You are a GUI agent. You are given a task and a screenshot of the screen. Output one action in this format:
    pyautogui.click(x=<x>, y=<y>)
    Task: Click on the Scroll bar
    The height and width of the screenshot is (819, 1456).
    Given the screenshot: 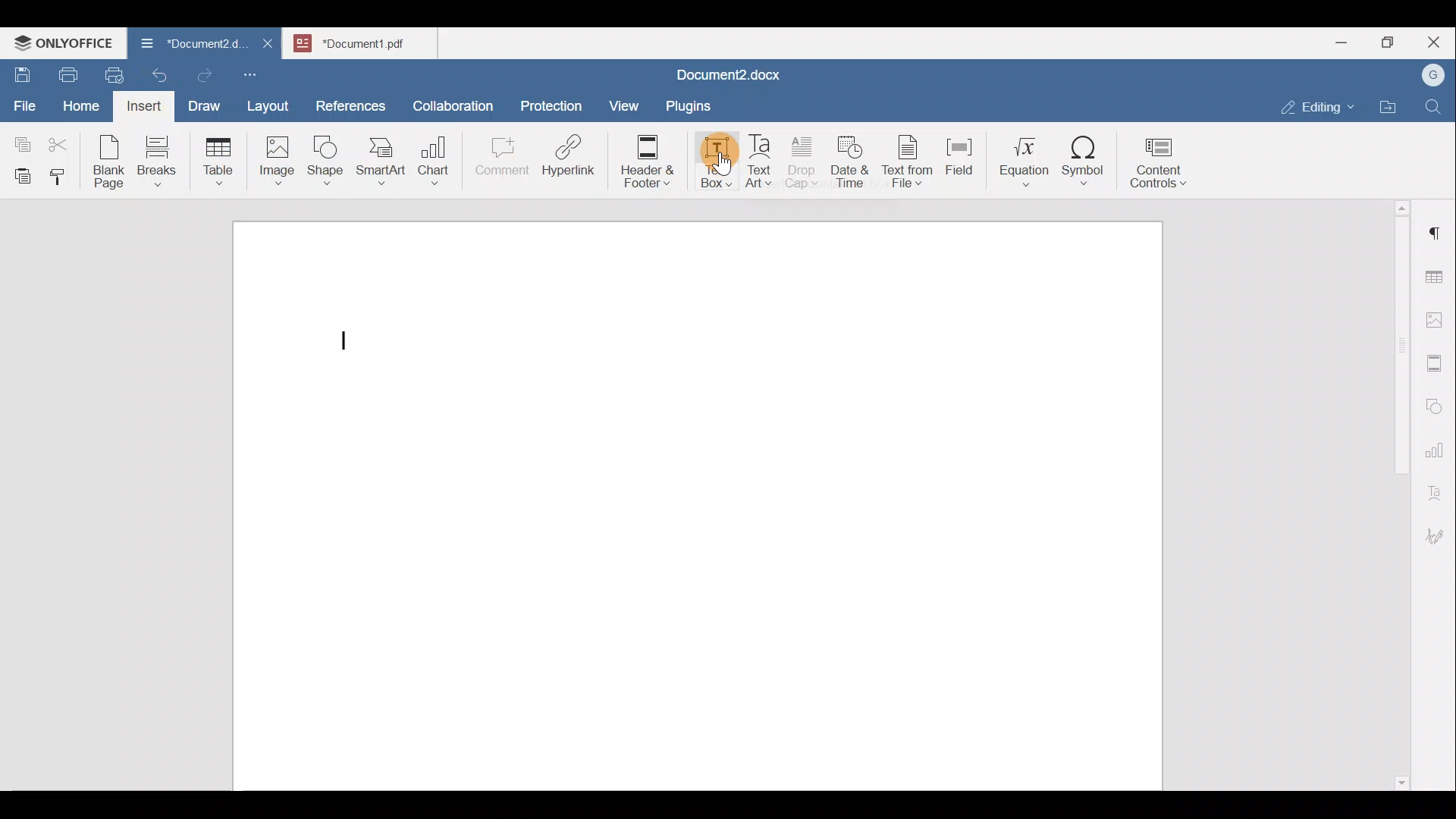 What is the action you would take?
    pyautogui.click(x=1396, y=492)
    